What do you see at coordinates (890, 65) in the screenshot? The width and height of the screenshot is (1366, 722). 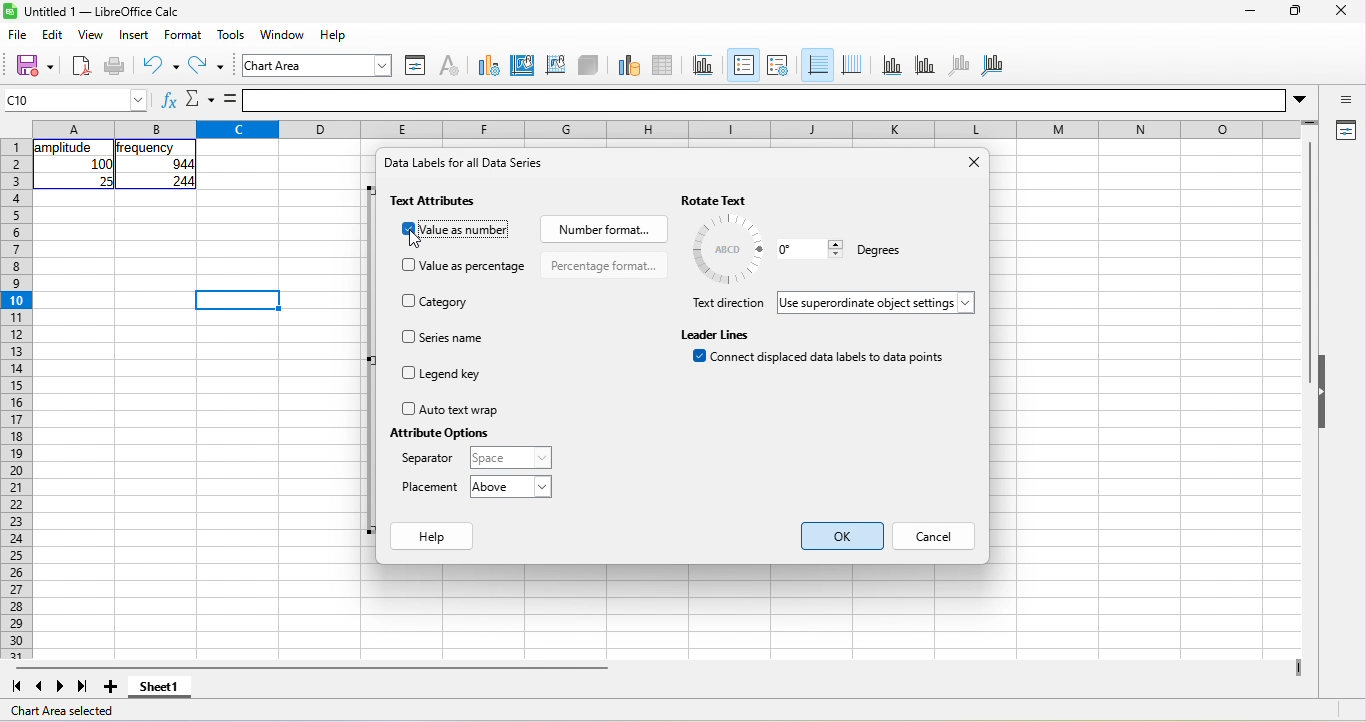 I see `x axis` at bounding box center [890, 65].